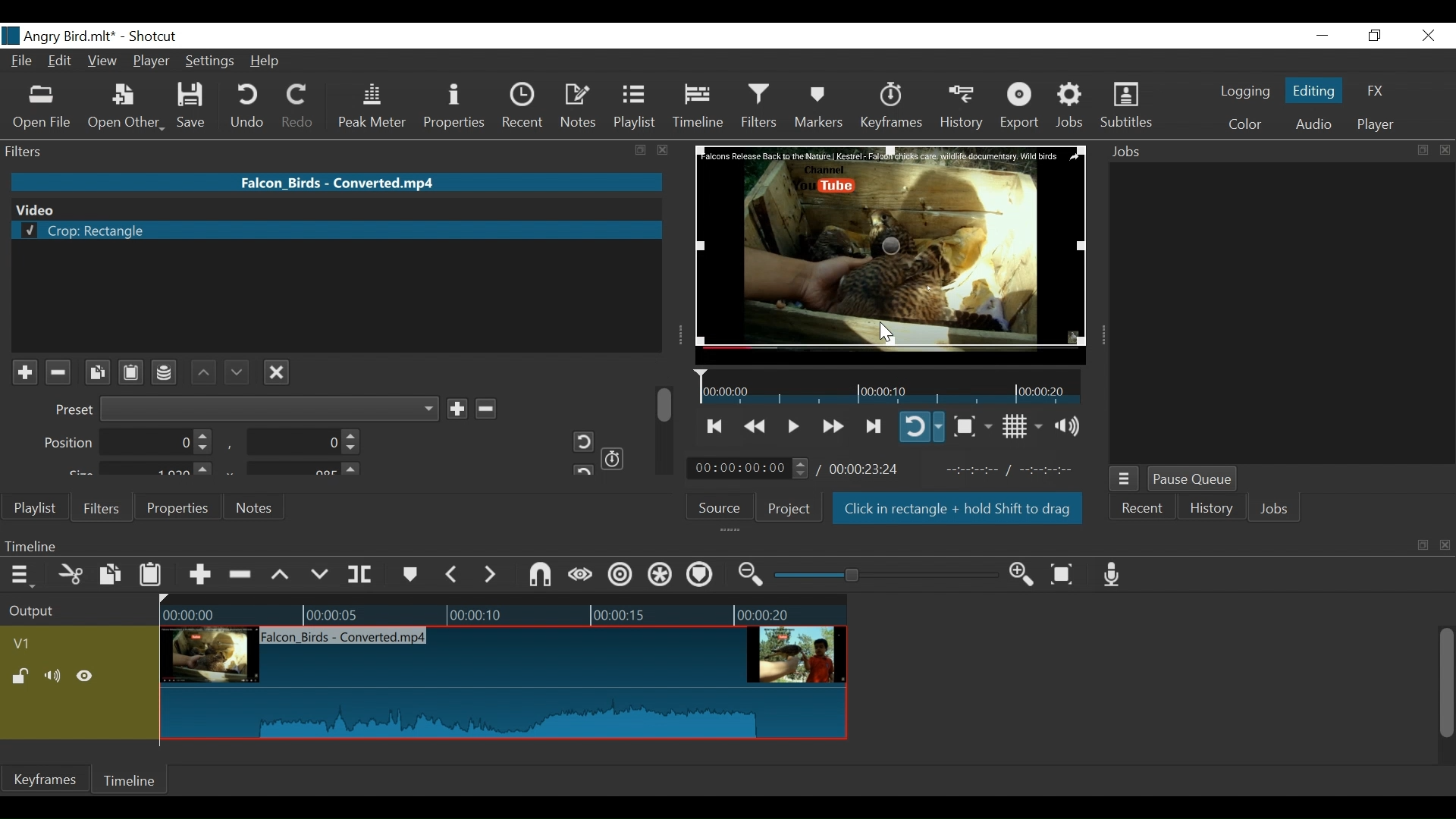  I want to click on Ripple all tracks, so click(661, 576).